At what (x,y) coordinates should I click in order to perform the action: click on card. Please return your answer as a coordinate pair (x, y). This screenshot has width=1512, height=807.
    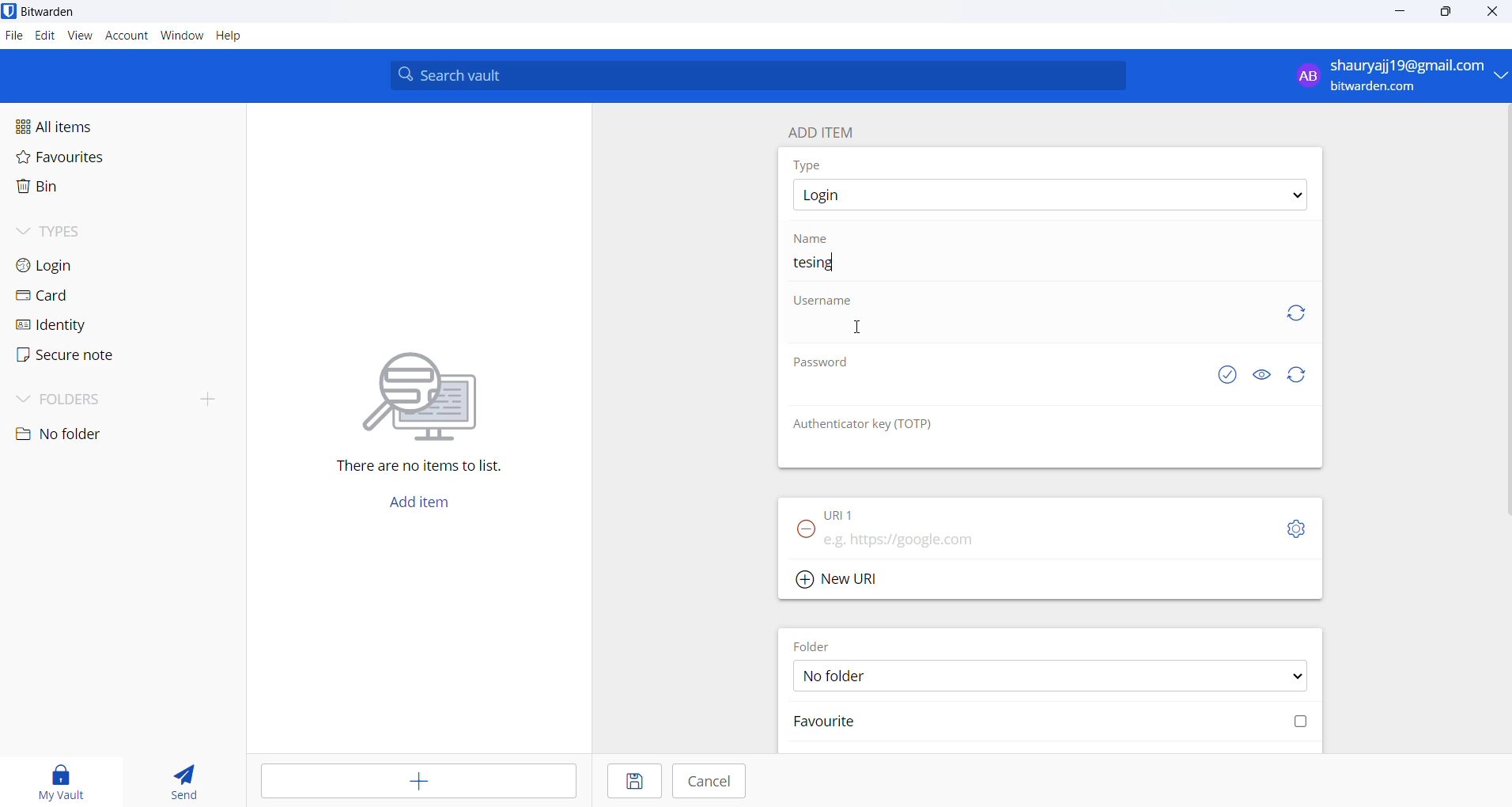
    Looking at the image, I should click on (63, 297).